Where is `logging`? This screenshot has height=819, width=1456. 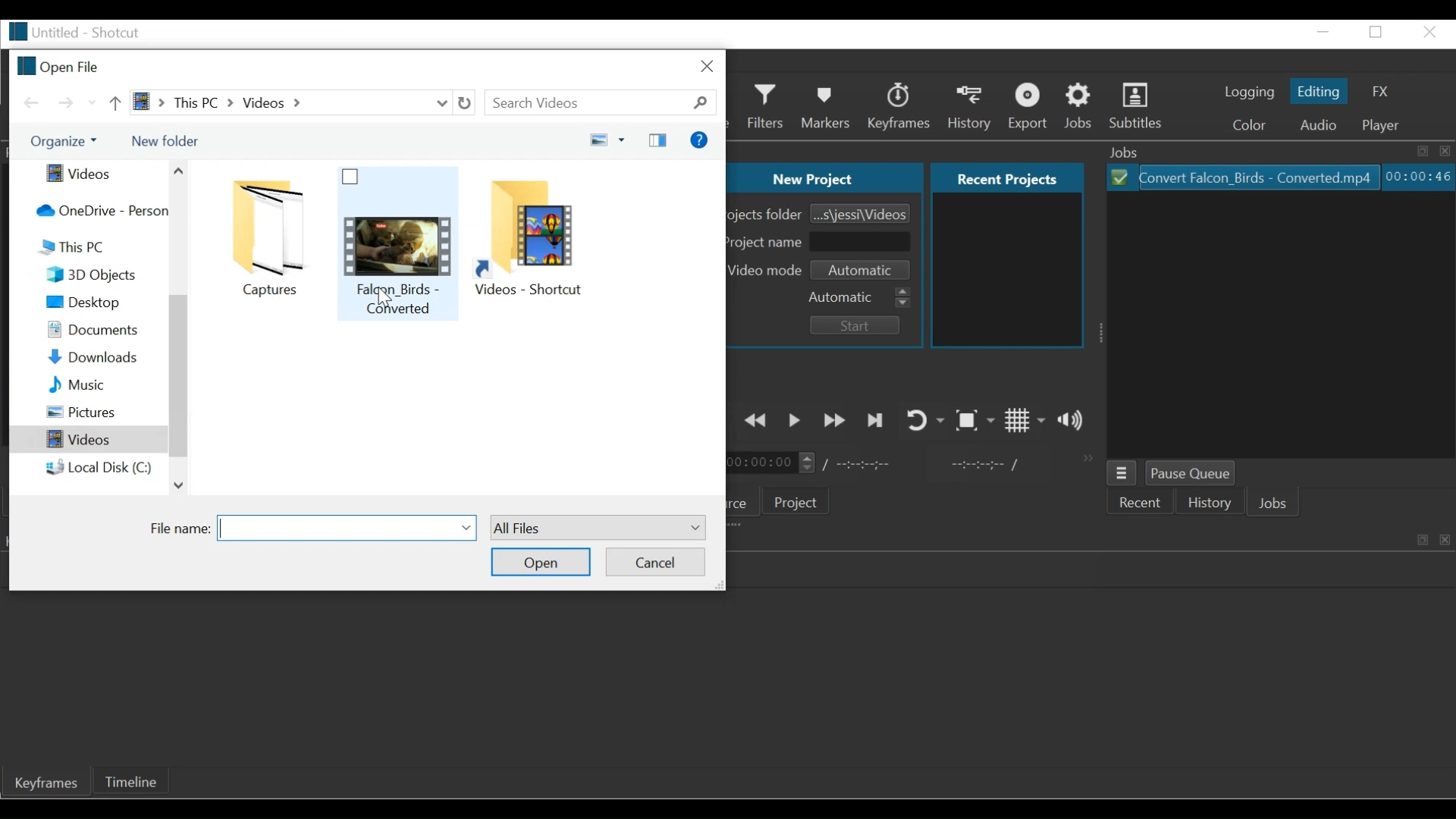
logging is located at coordinates (1250, 93).